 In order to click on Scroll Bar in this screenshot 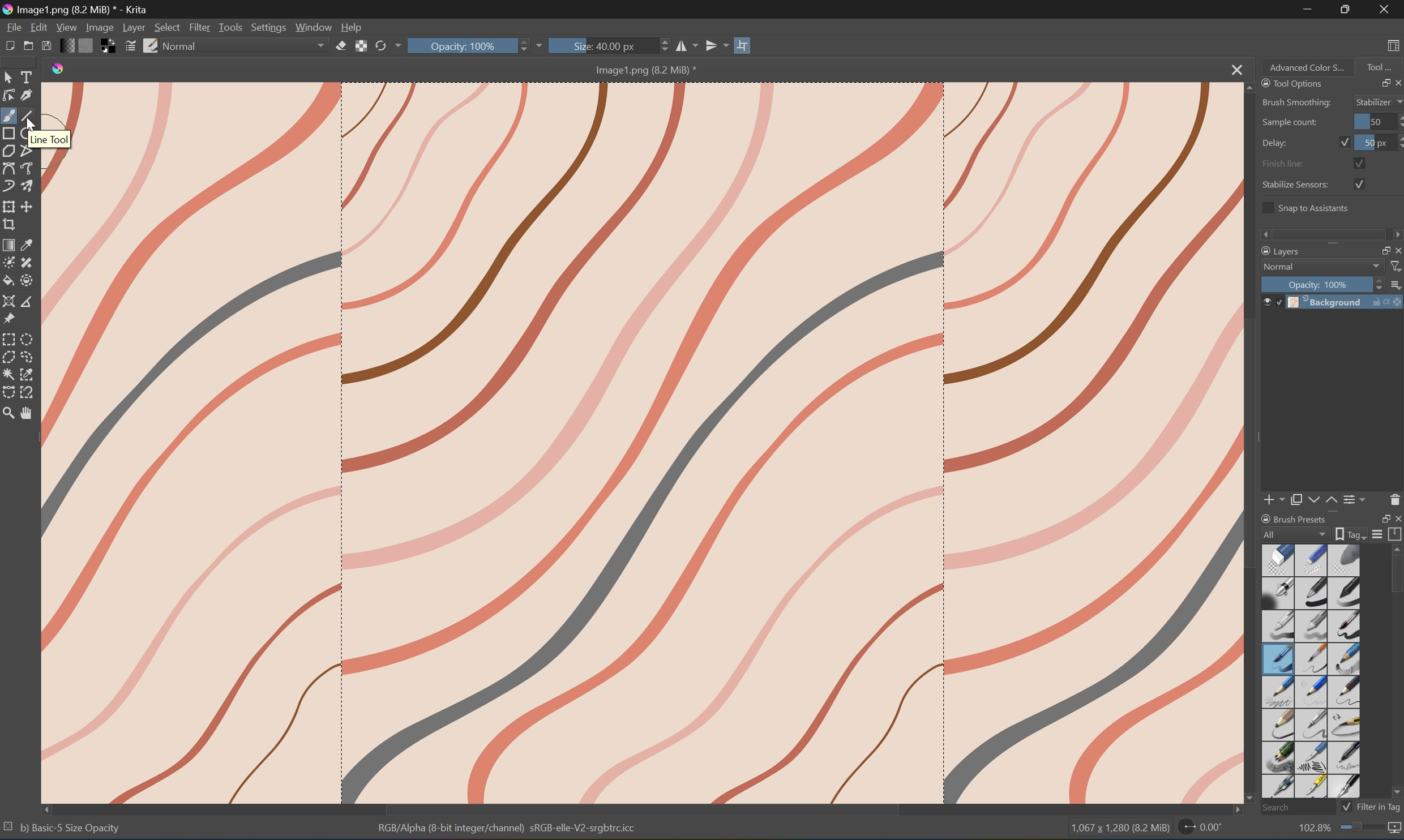, I will do `click(1252, 444)`.